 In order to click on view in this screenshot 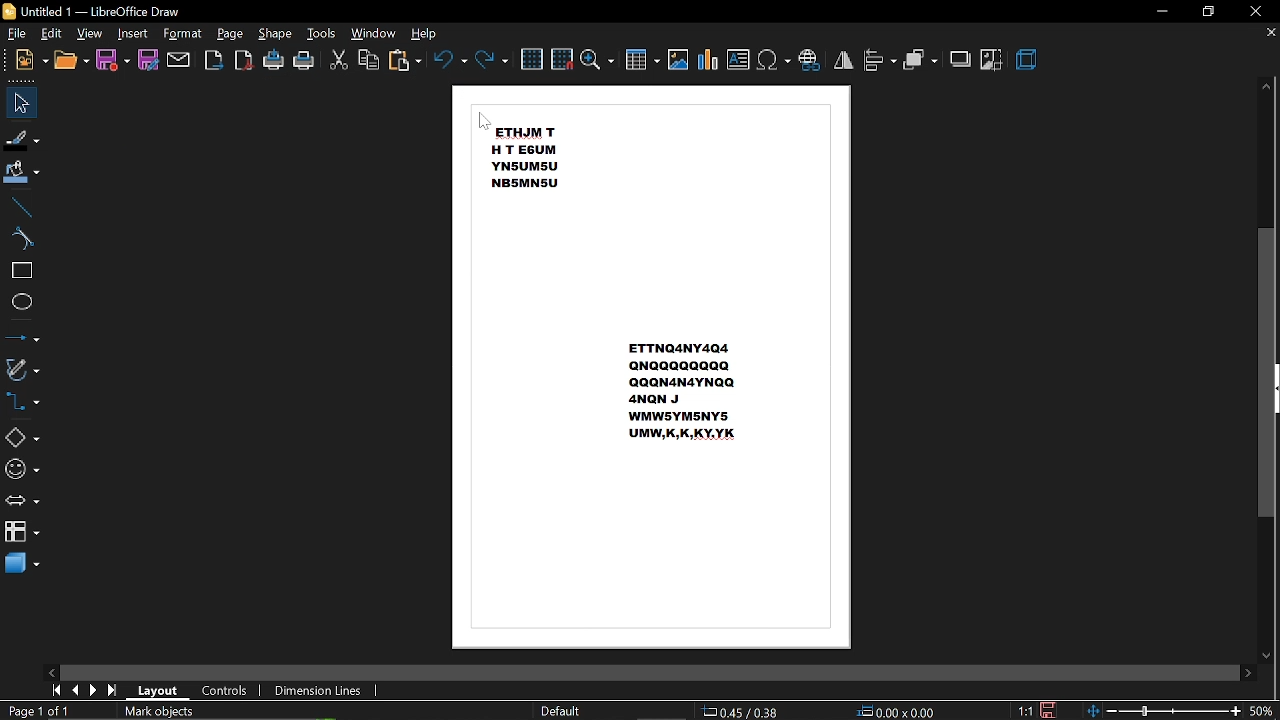, I will do `click(90, 34)`.